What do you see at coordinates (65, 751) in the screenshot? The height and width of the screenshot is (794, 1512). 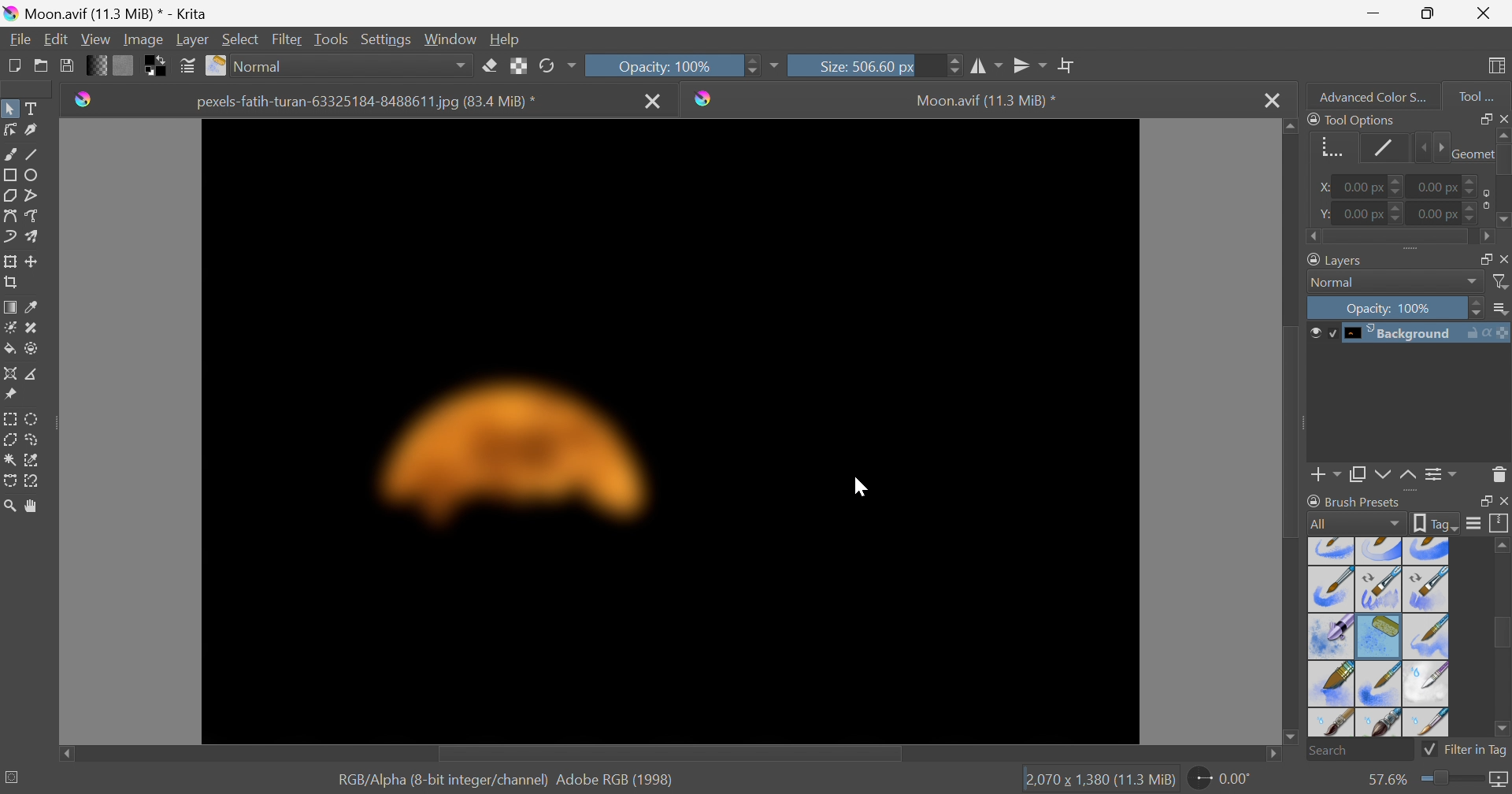 I see `Scroll left` at bounding box center [65, 751].